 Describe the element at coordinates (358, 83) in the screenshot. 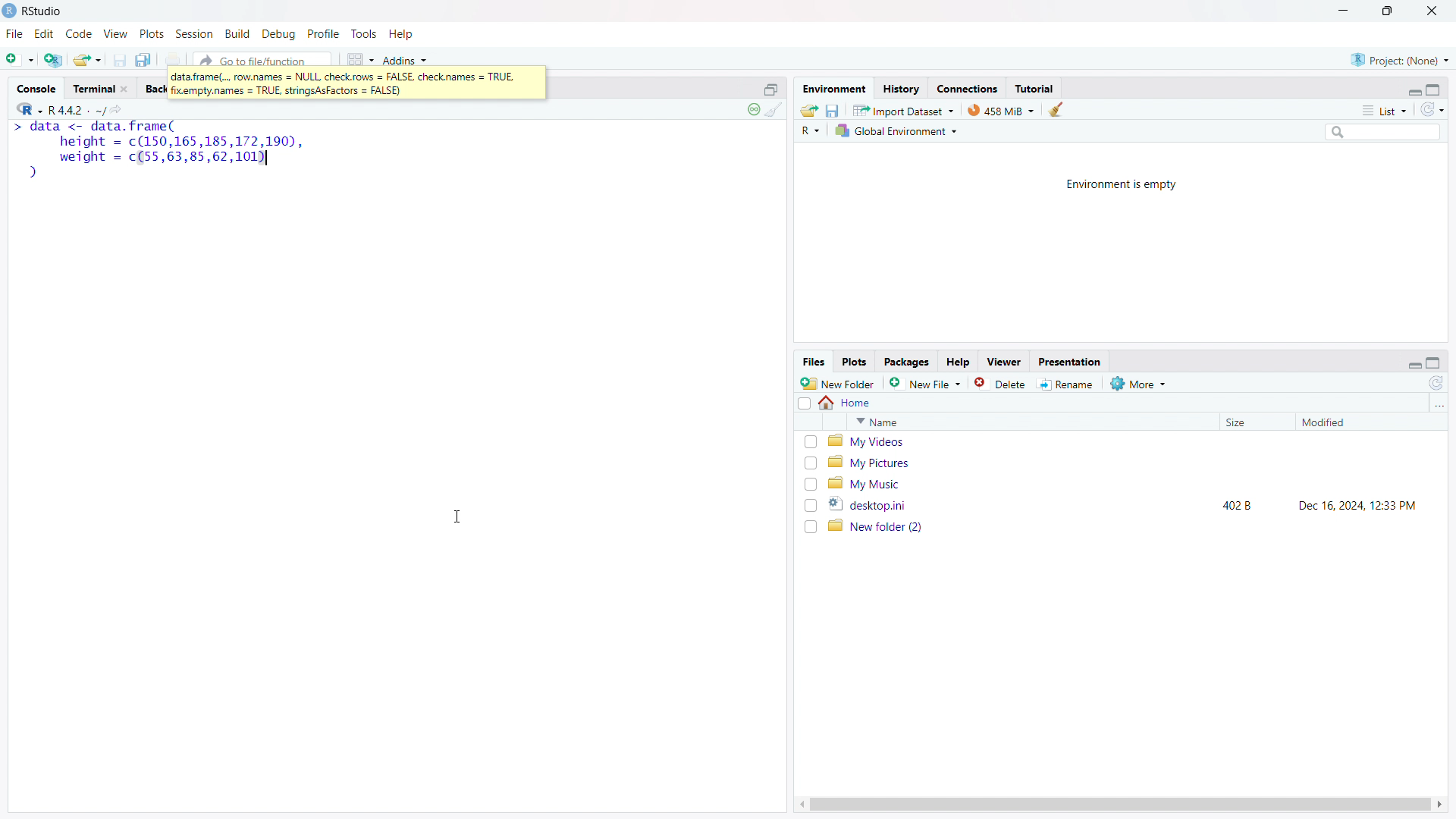

I see `data frame... row.names = NULL check.rows = FALSE, check.names = TRUE.
x.empty.names = TRUE, stringsAsFactors = FALSE)` at that location.